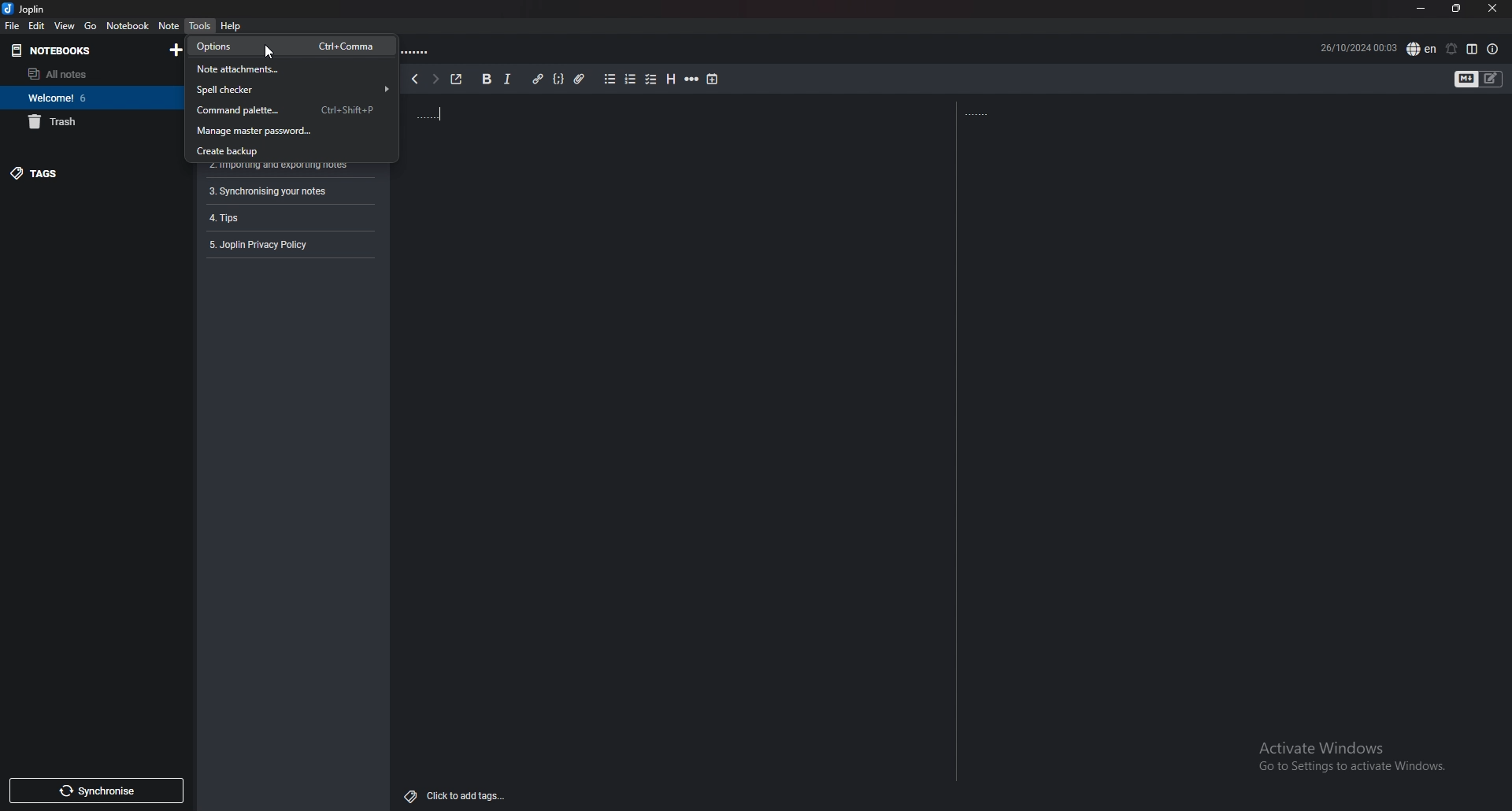  Describe the element at coordinates (673, 79) in the screenshot. I see `heading` at that location.